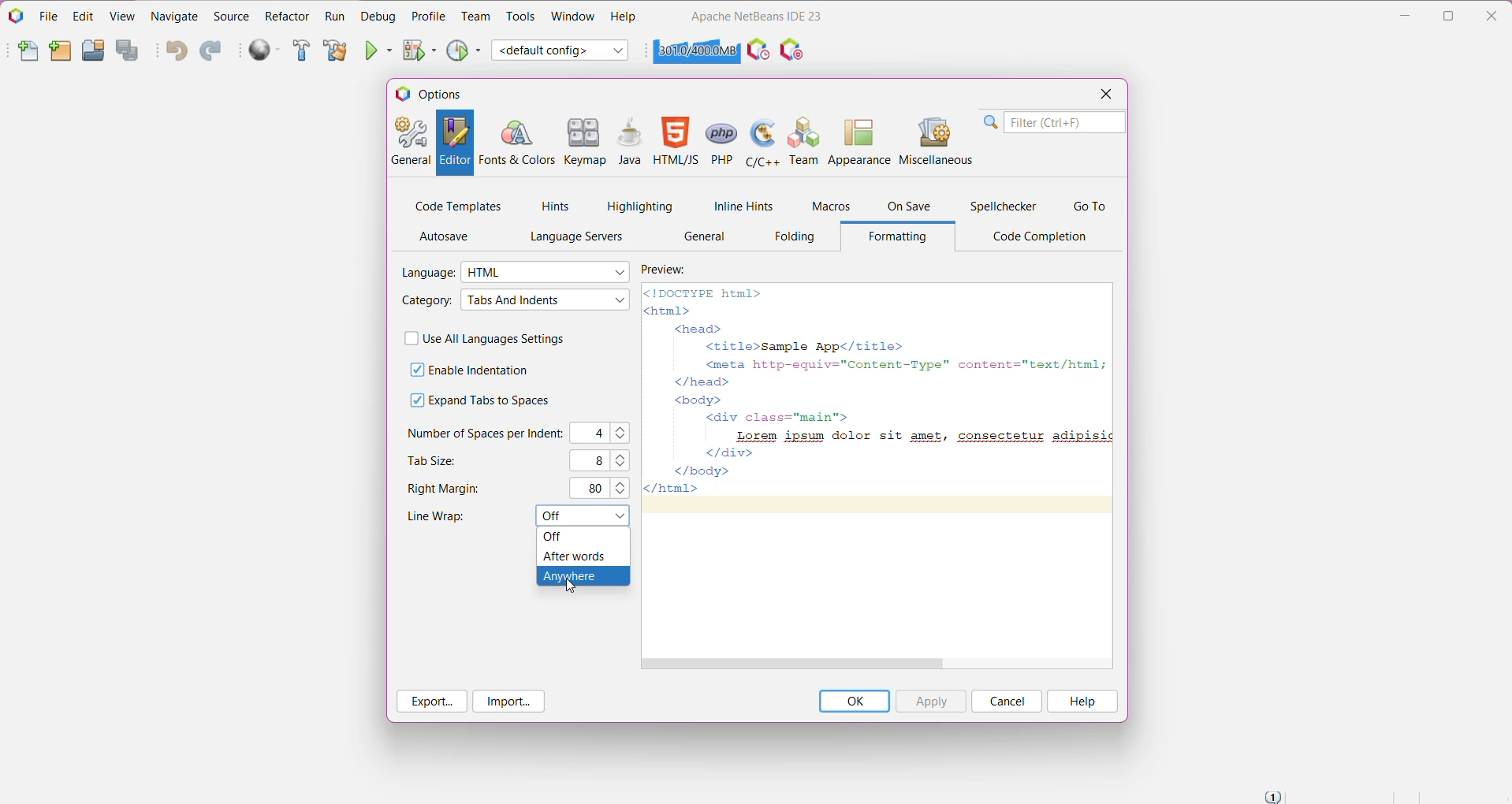 This screenshot has height=804, width=1512. I want to click on Restore Down, so click(1451, 16).